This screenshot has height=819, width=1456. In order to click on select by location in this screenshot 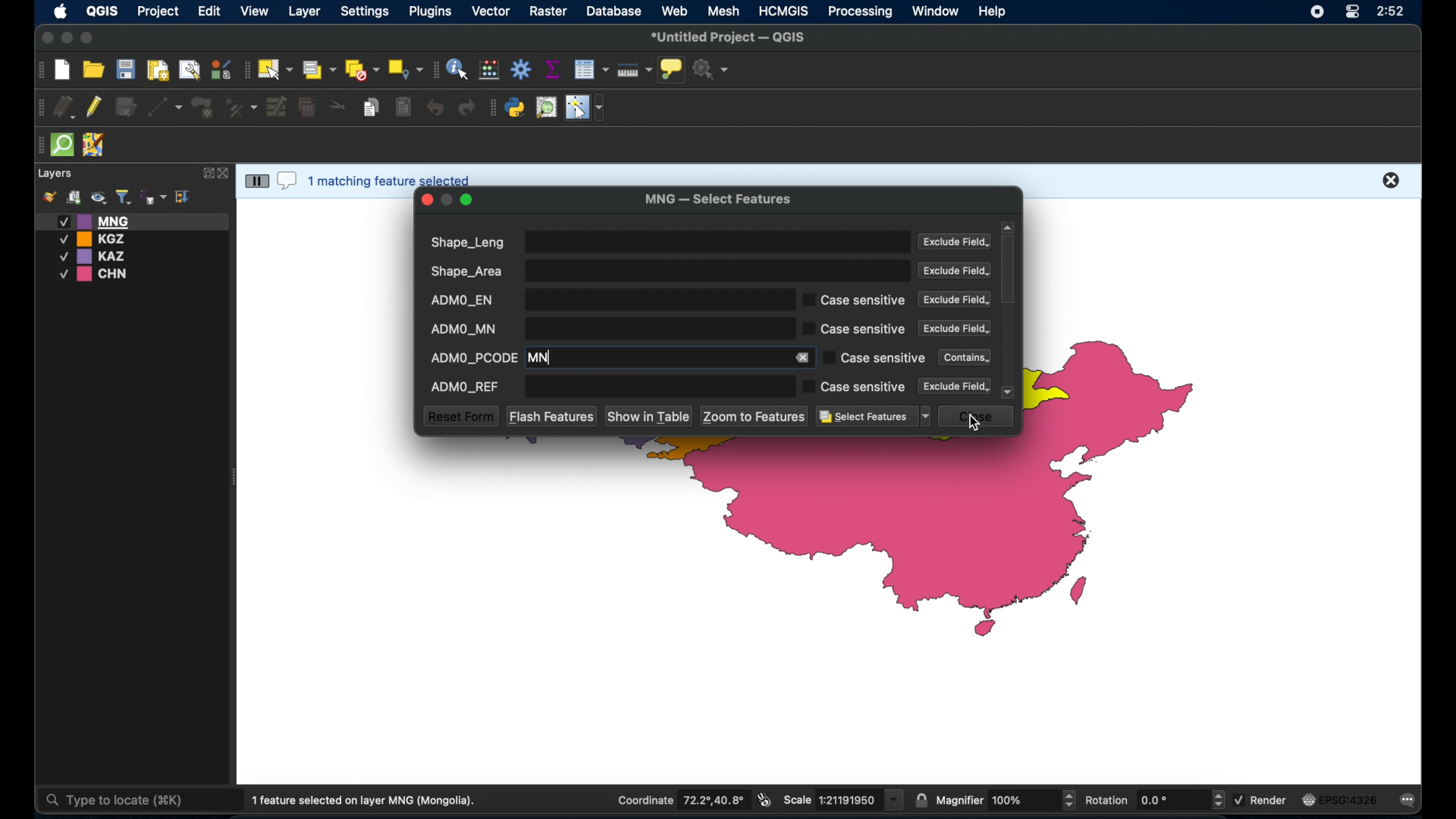, I will do `click(406, 70)`.